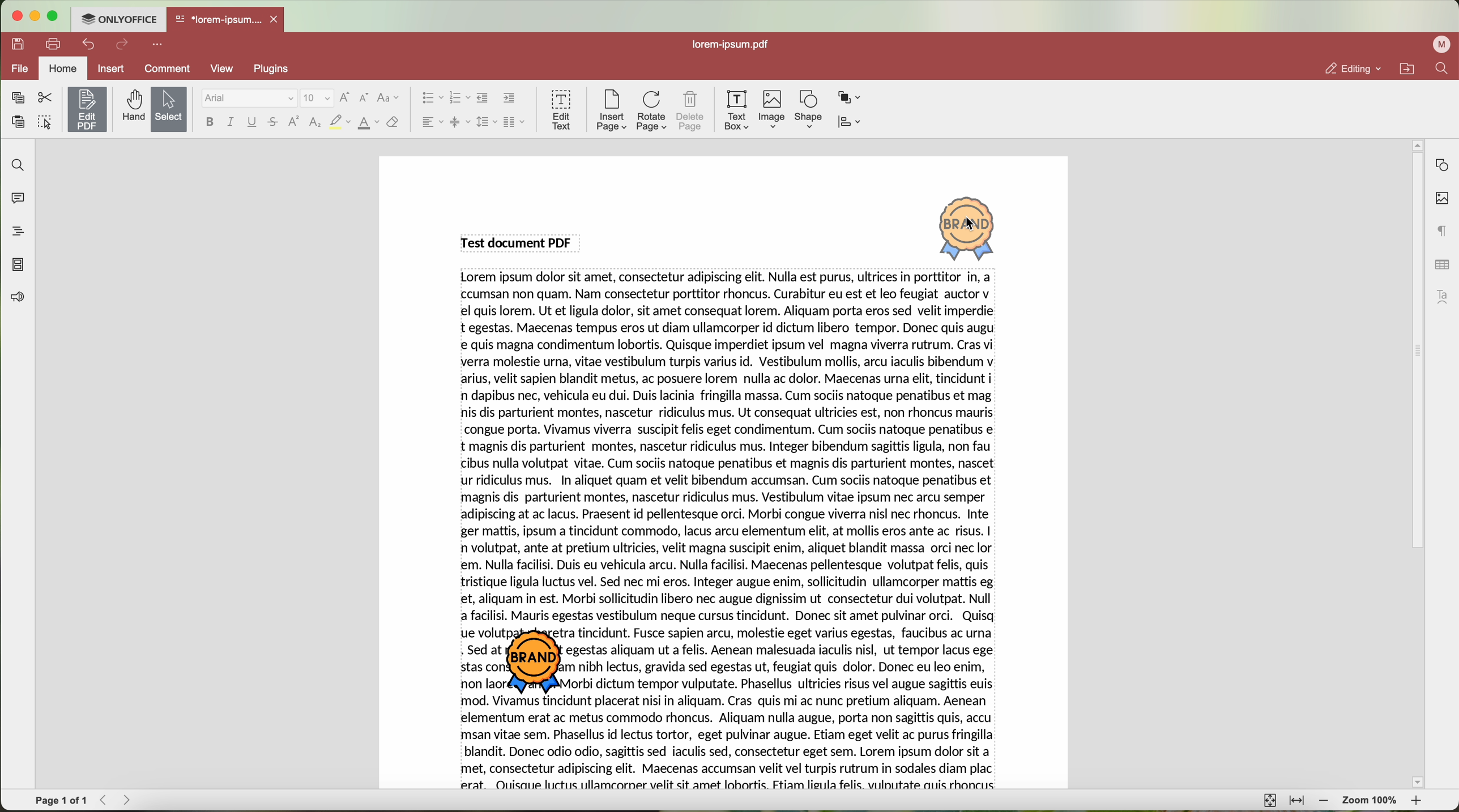 The image size is (1459, 812). What do you see at coordinates (15, 164) in the screenshot?
I see `find` at bounding box center [15, 164].